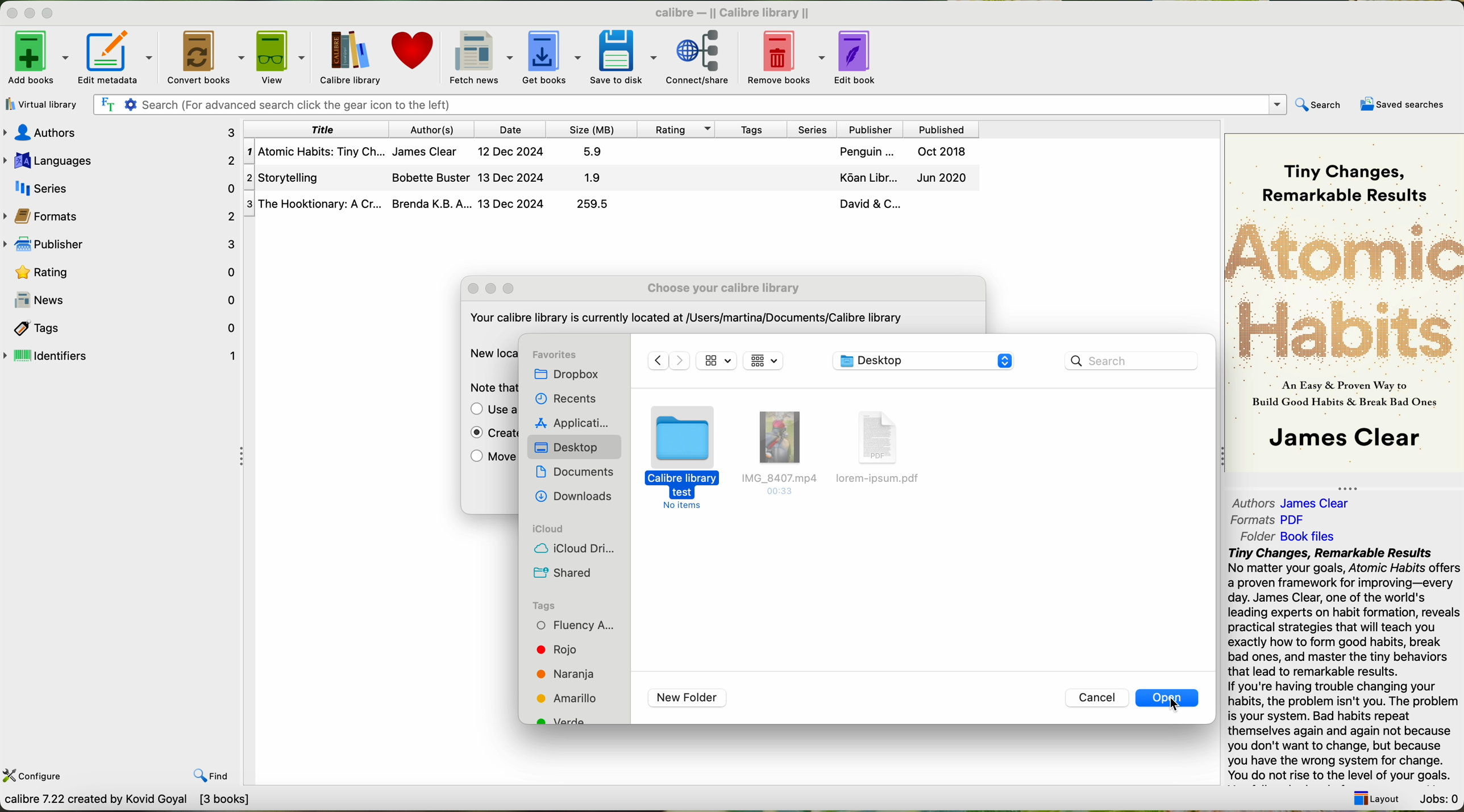  Describe the element at coordinates (39, 104) in the screenshot. I see `virtual library` at that location.